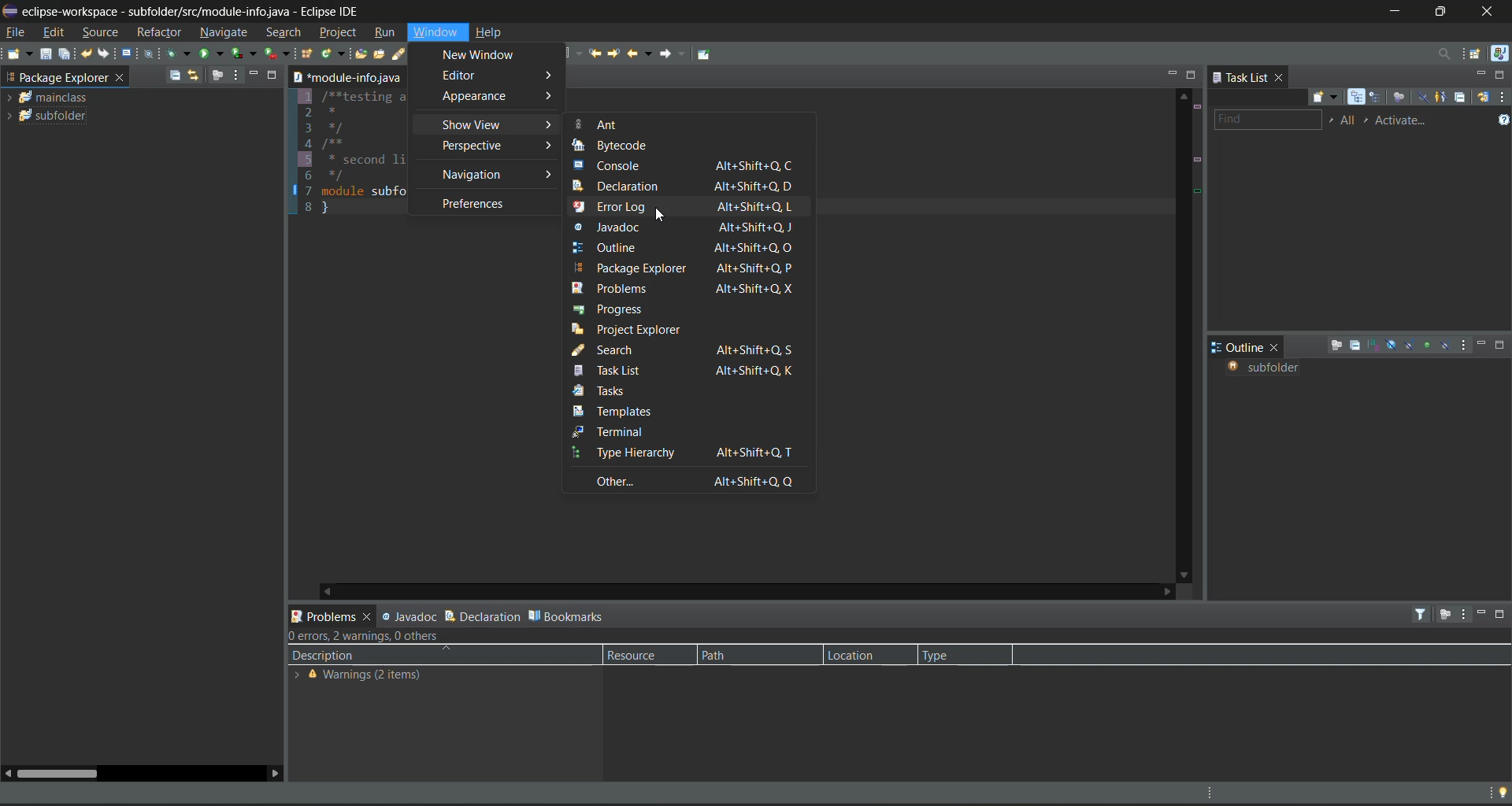 The height and width of the screenshot is (806, 1512). What do you see at coordinates (201, 9) in the screenshot?
I see `» eclipse-workspace - subfolder/src/module-info.java - Eclipse IDE` at bounding box center [201, 9].